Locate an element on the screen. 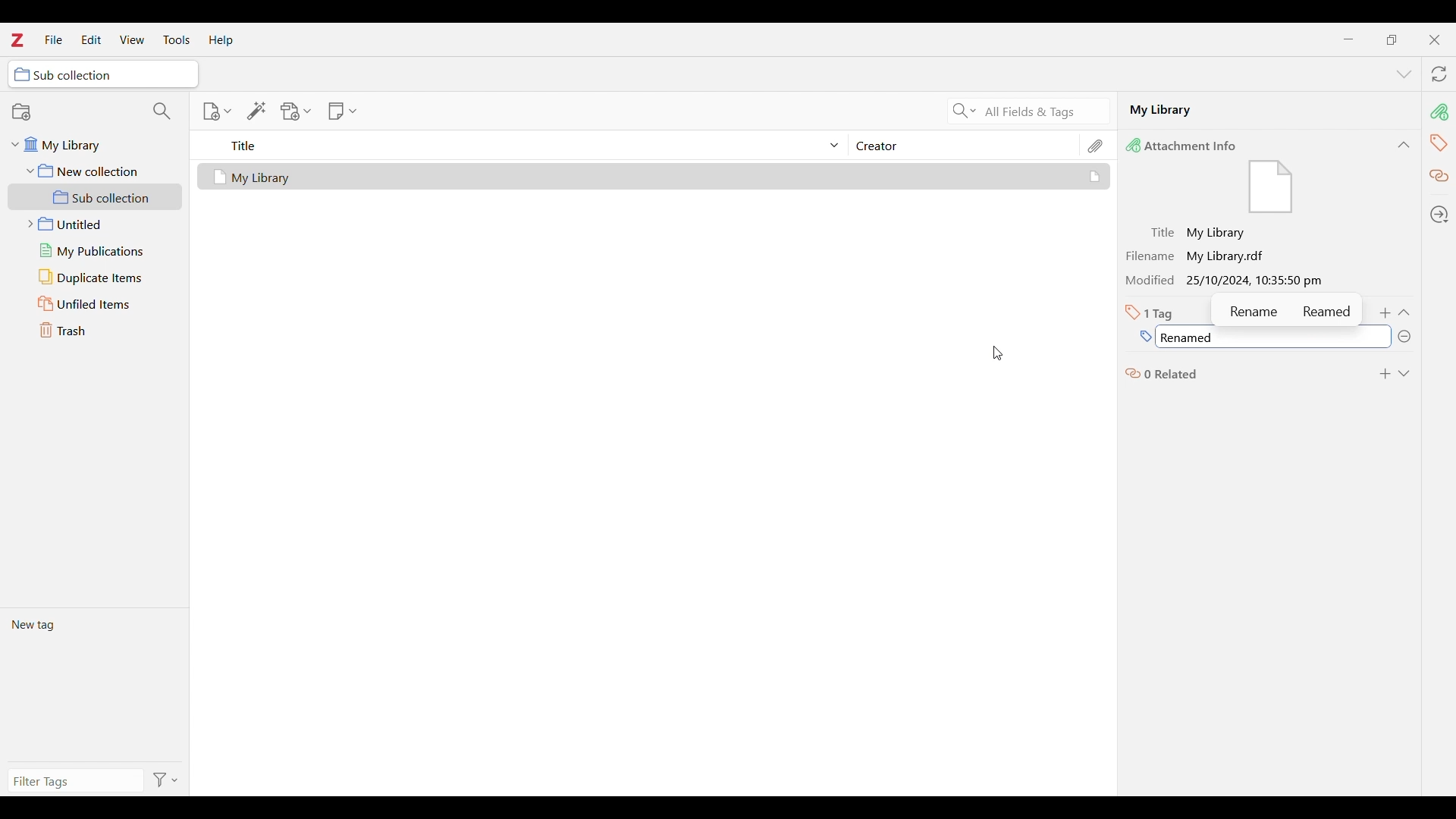 The height and width of the screenshot is (819, 1456). Selected folder is located at coordinates (103, 74).